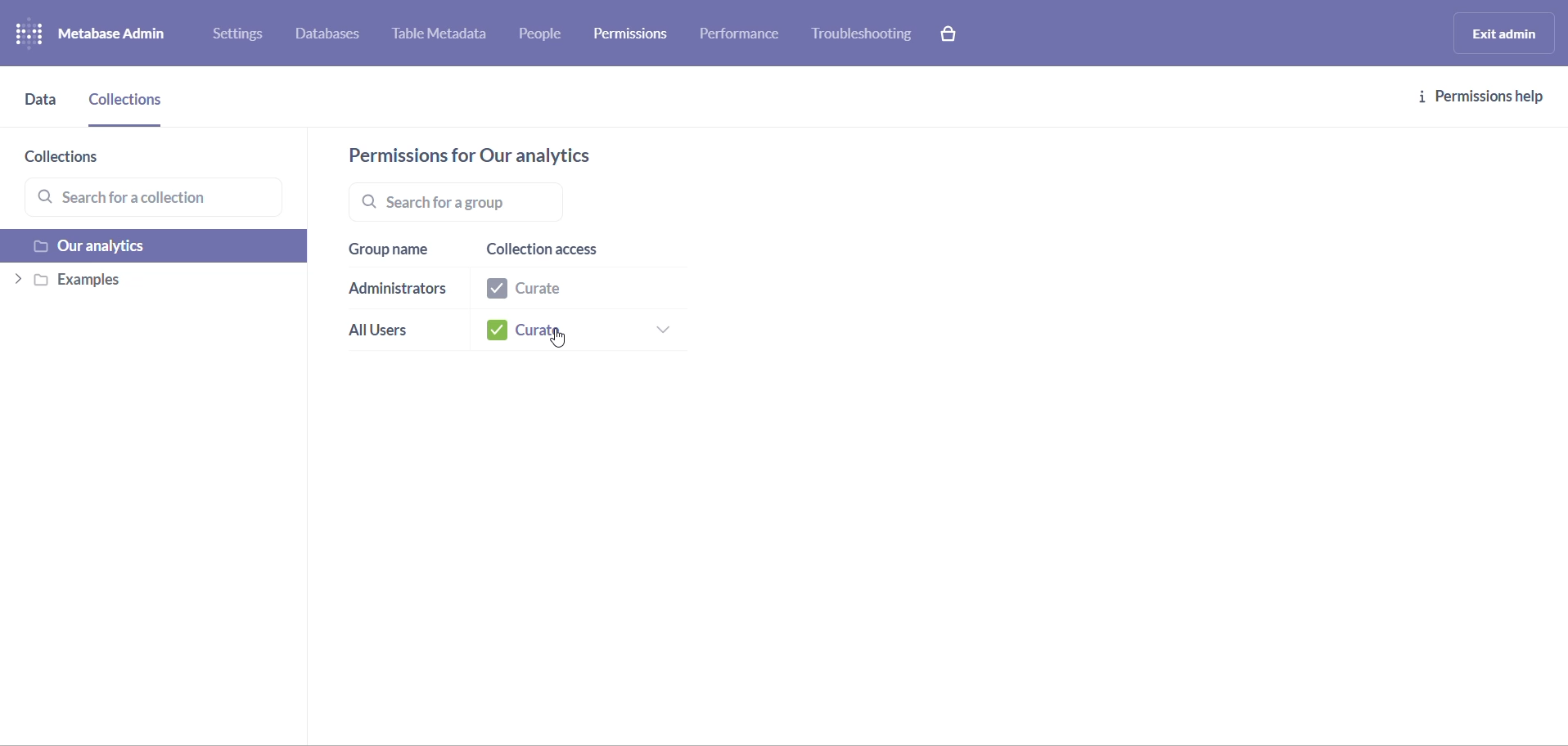 This screenshot has width=1568, height=746. I want to click on settings, so click(244, 37).